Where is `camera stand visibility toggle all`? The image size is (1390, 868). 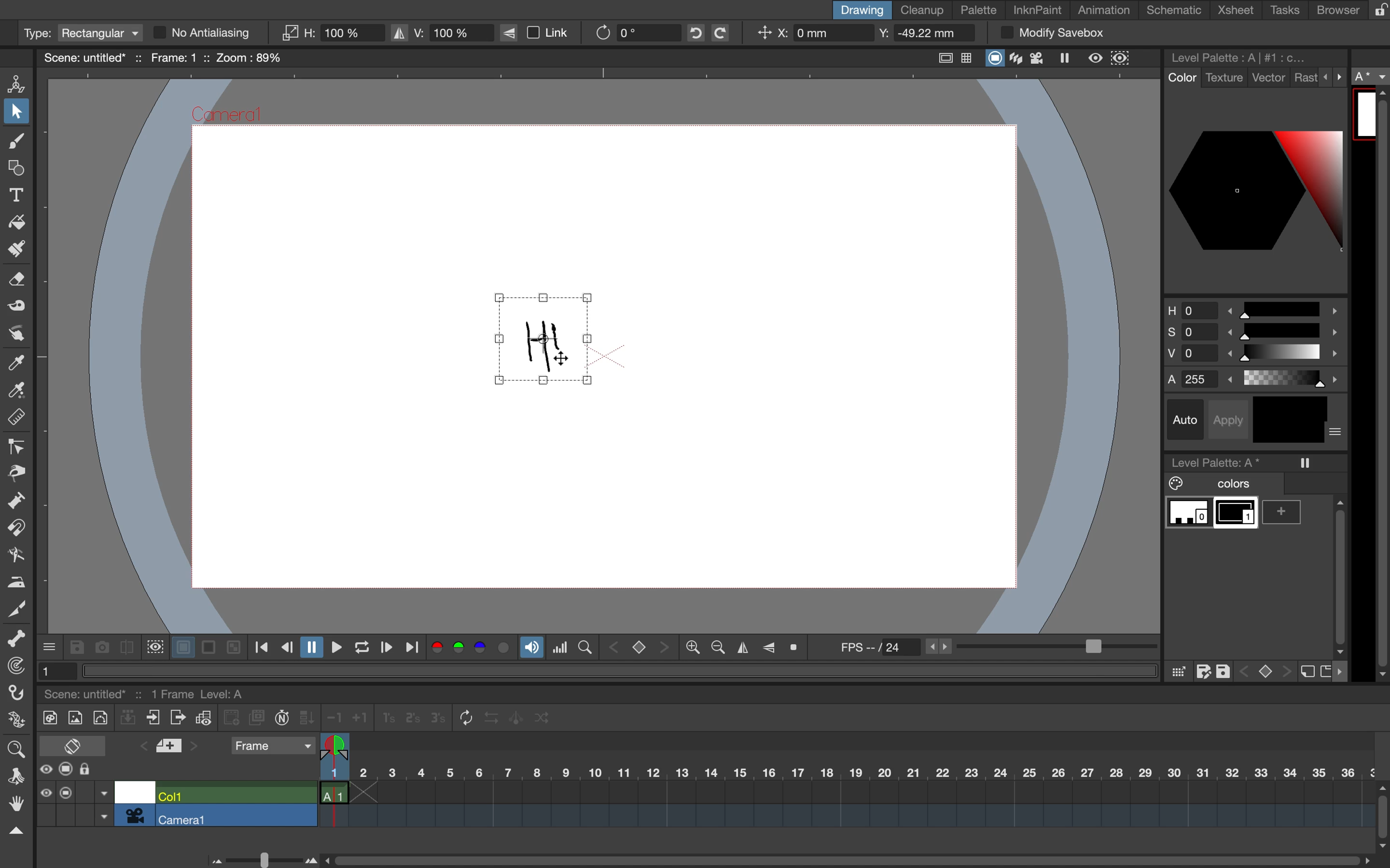
camera stand visibility toggle all is located at coordinates (66, 770).